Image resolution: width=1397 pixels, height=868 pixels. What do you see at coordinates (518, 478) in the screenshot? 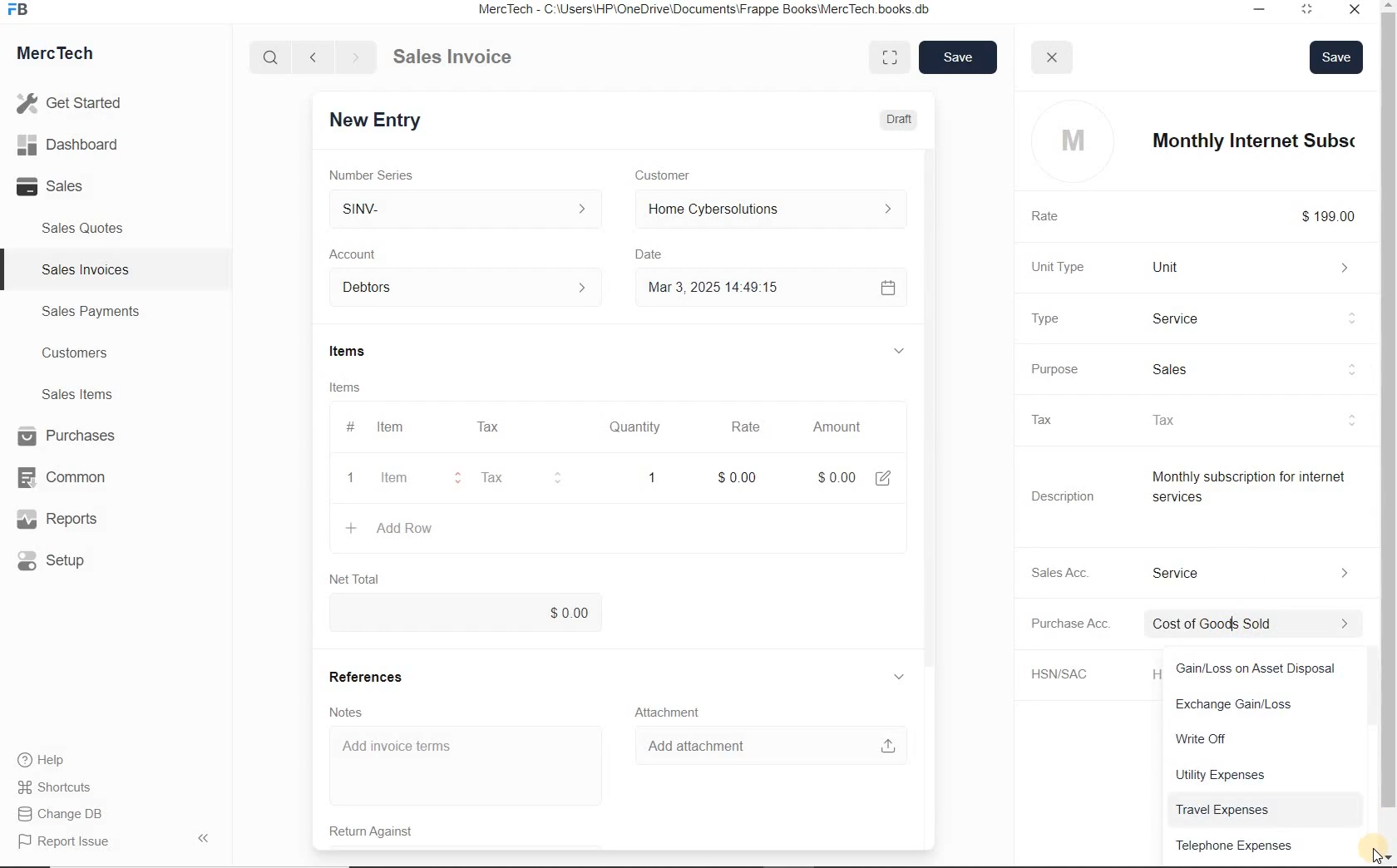
I see `Tax` at bounding box center [518, 478].